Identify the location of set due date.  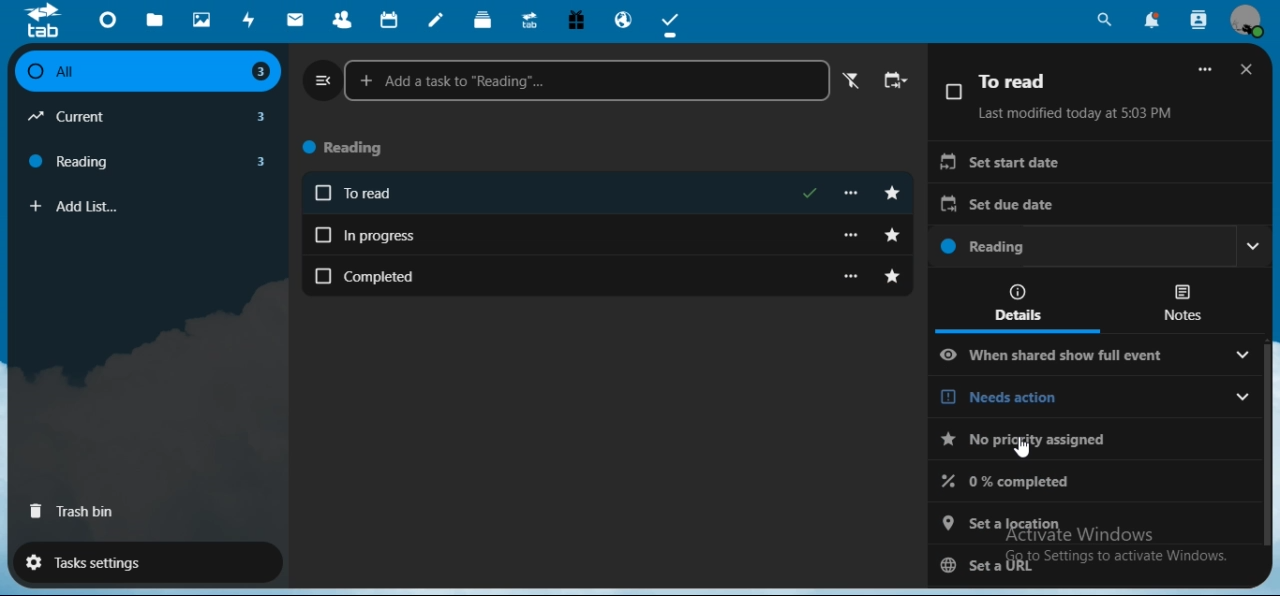
(1096, 206).